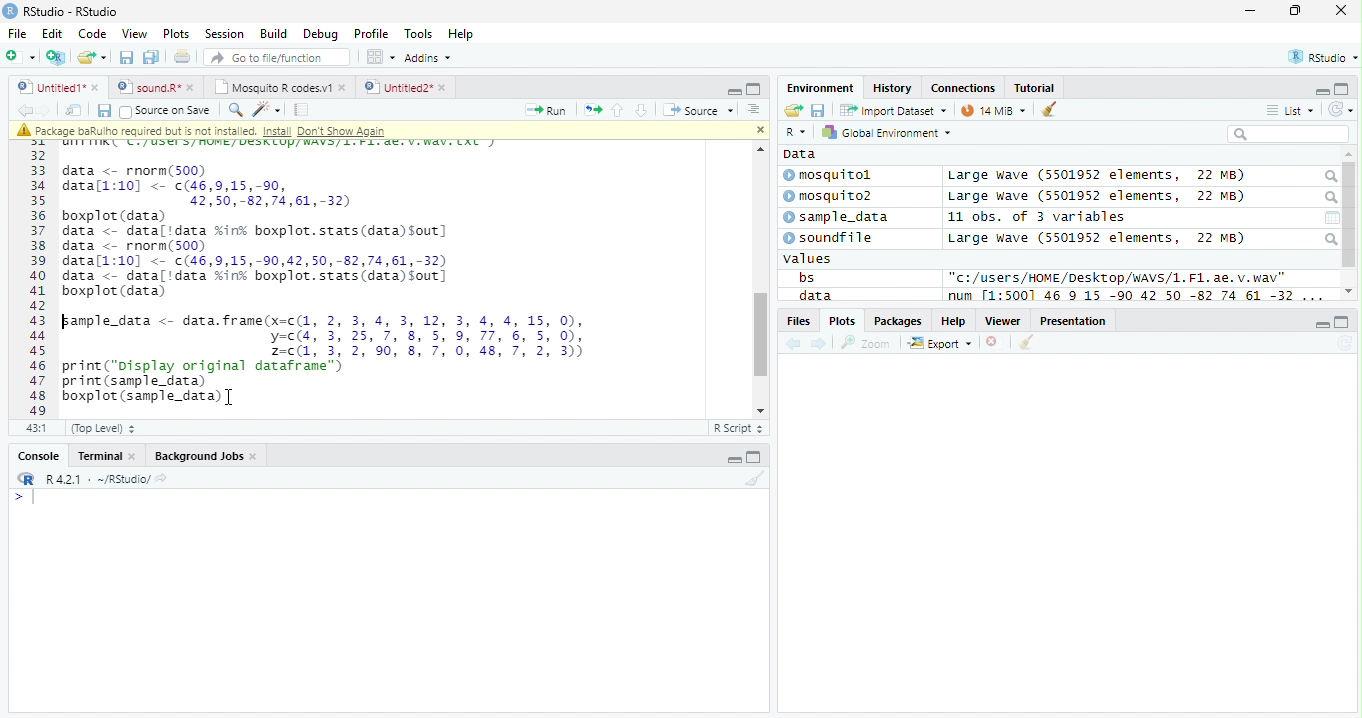 This screenshot has width=1362, height=718. What do you see at coordinates (1096, 176) in the screenshot?
I see `Large wave (5501952 elements, 22 MB)` at bounding box center [1096, 176].